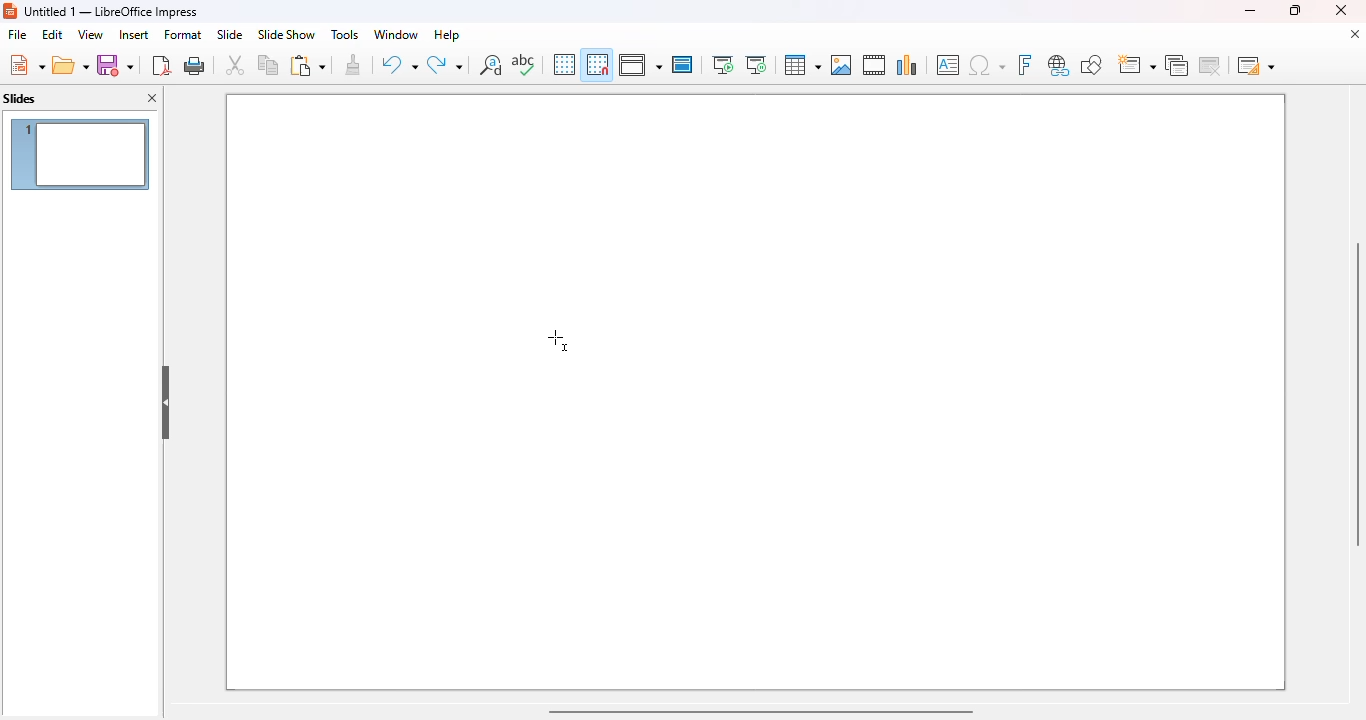  What do you see at coordinates (115, 65) in the screenshot?
I see `save` at bounding box center [115, 65].